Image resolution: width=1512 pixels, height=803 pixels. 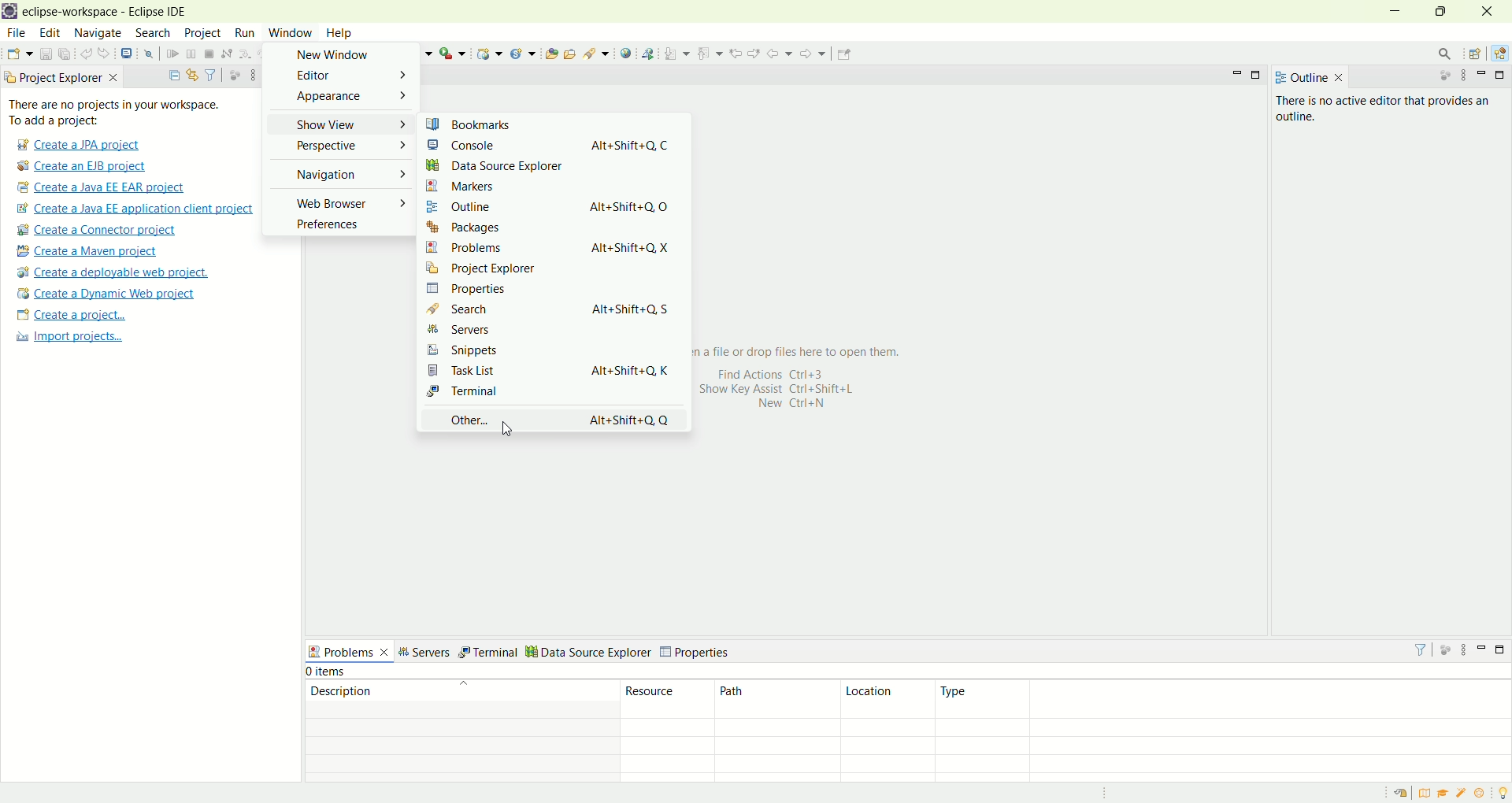 I want to click on pin editor, so click(x=846, y=55).